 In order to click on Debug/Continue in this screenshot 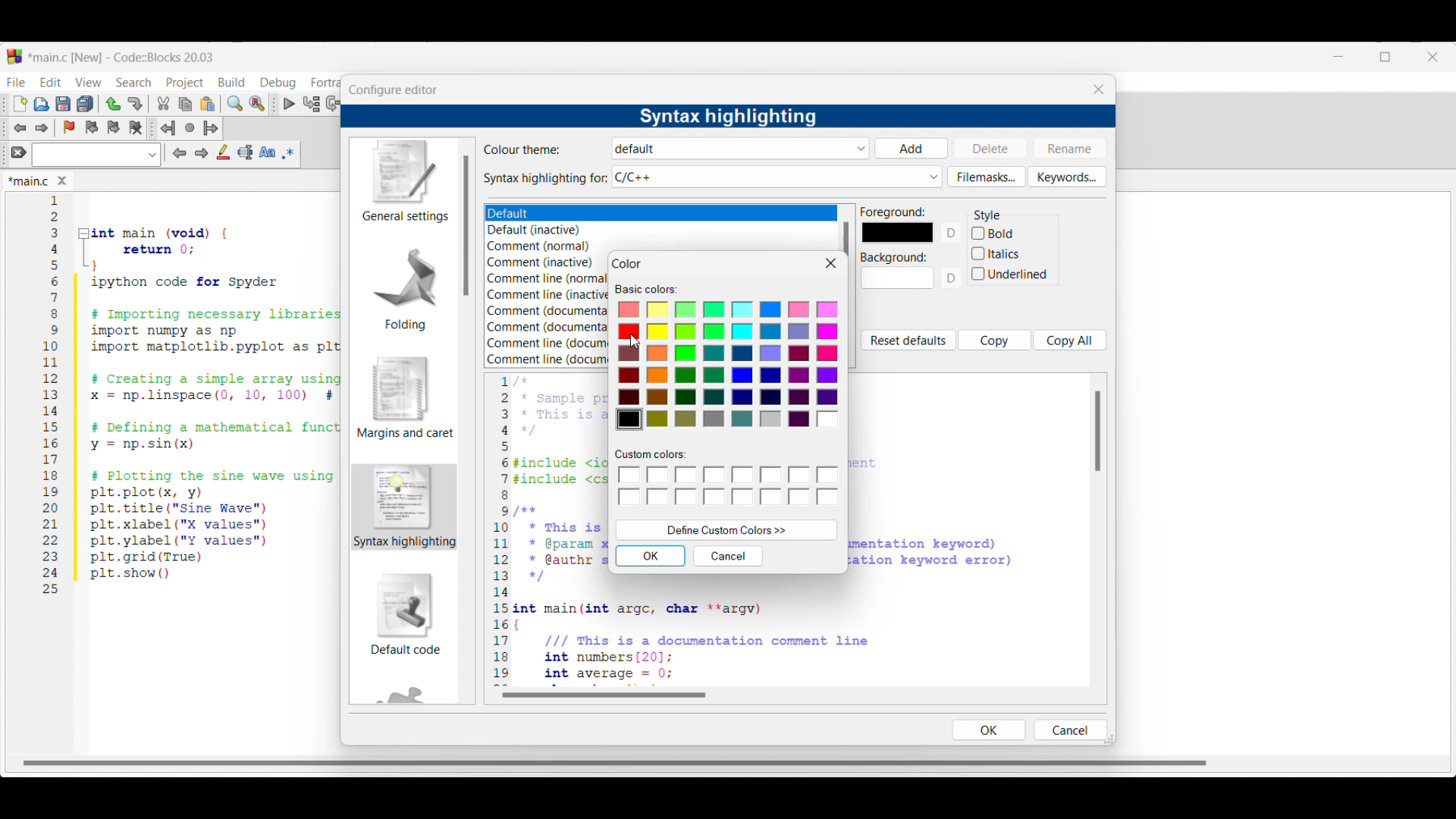, I will do `click(290, 104)`.